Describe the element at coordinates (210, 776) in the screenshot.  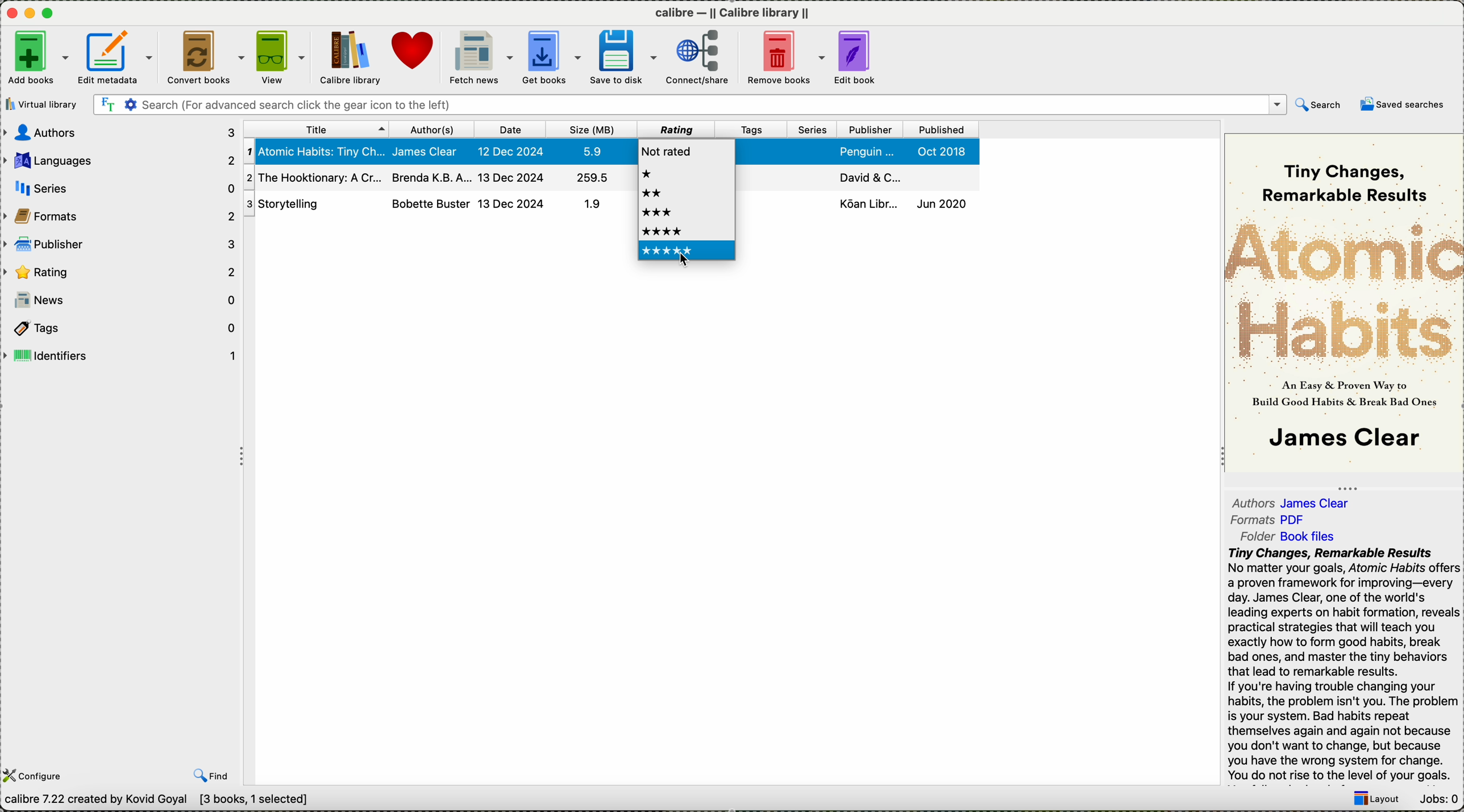
I see `find` at that location.